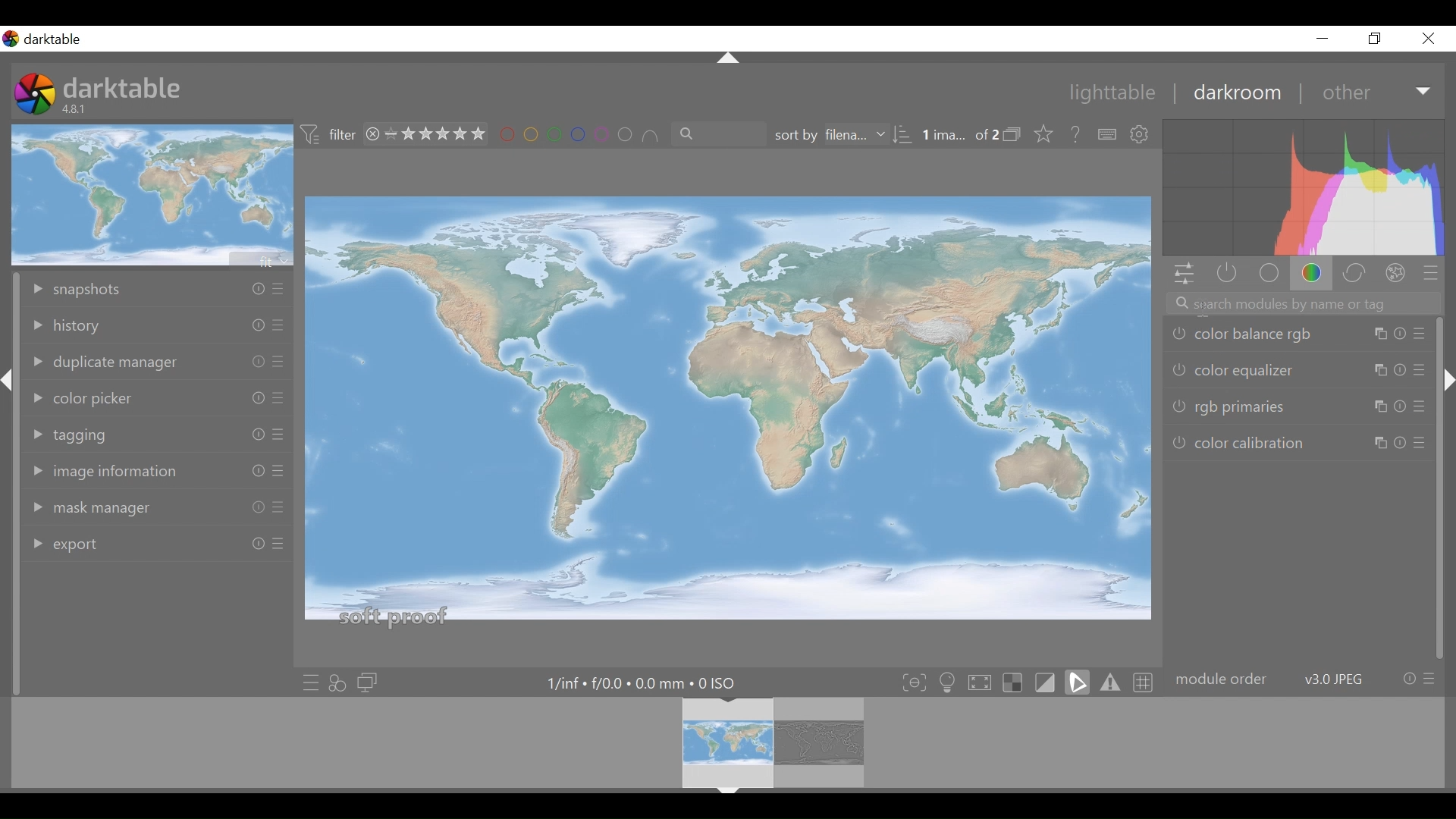  I want to click on history, so click(157, 326).